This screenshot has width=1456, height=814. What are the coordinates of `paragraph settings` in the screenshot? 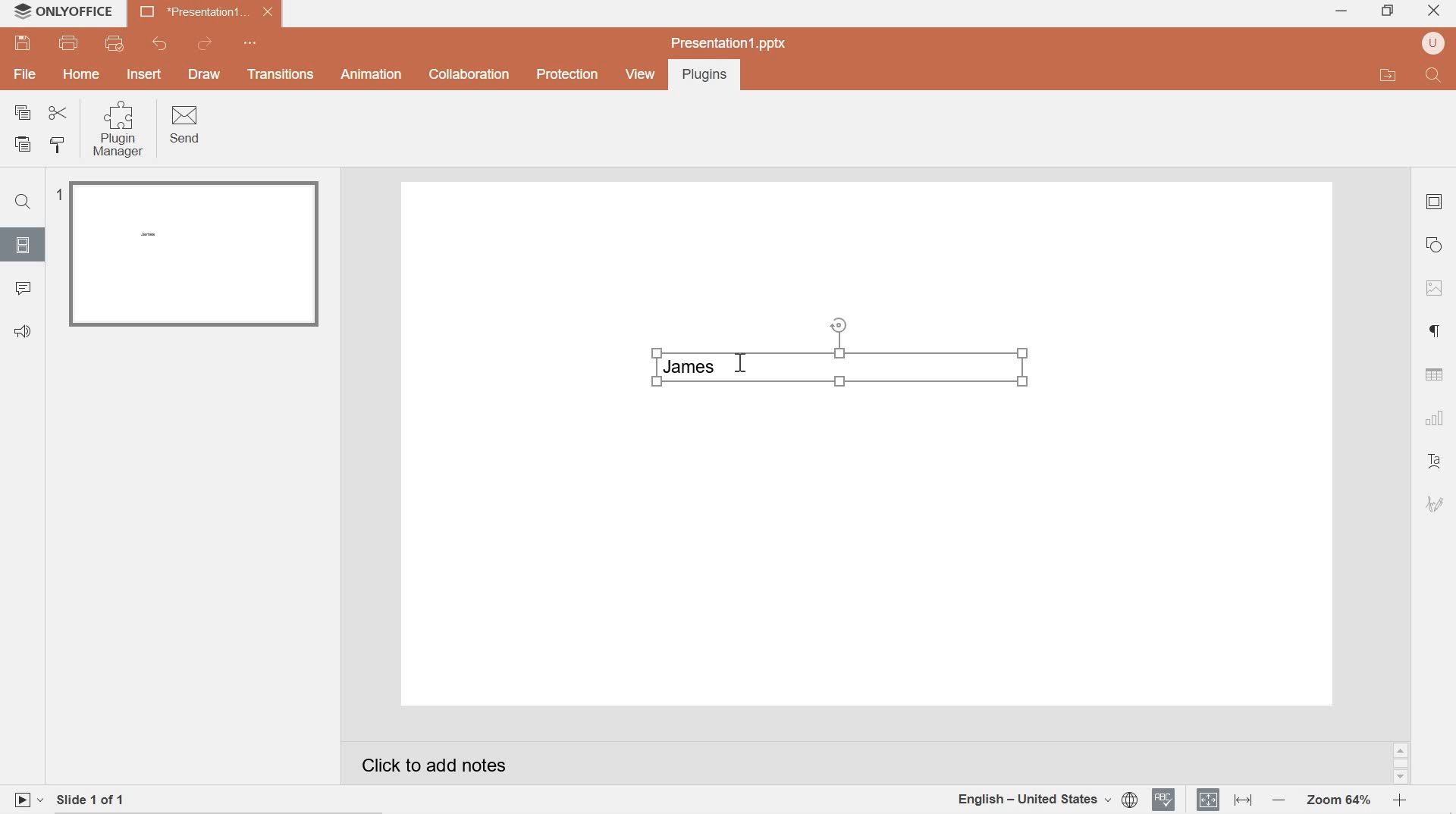 It's located at (1437, 332).